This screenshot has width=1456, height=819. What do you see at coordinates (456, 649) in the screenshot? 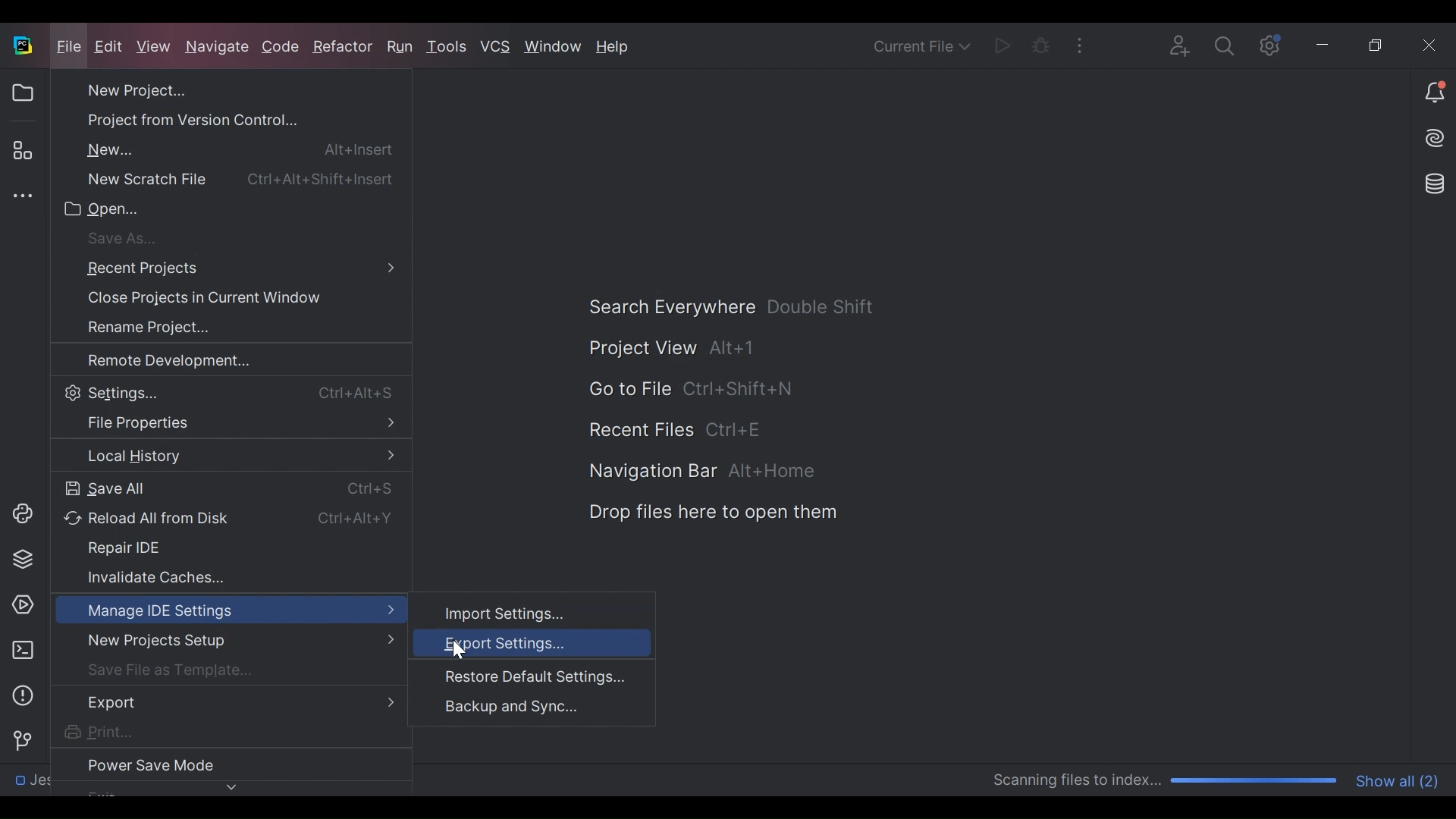
I see `Cursor` at bounding box center [456, 649].